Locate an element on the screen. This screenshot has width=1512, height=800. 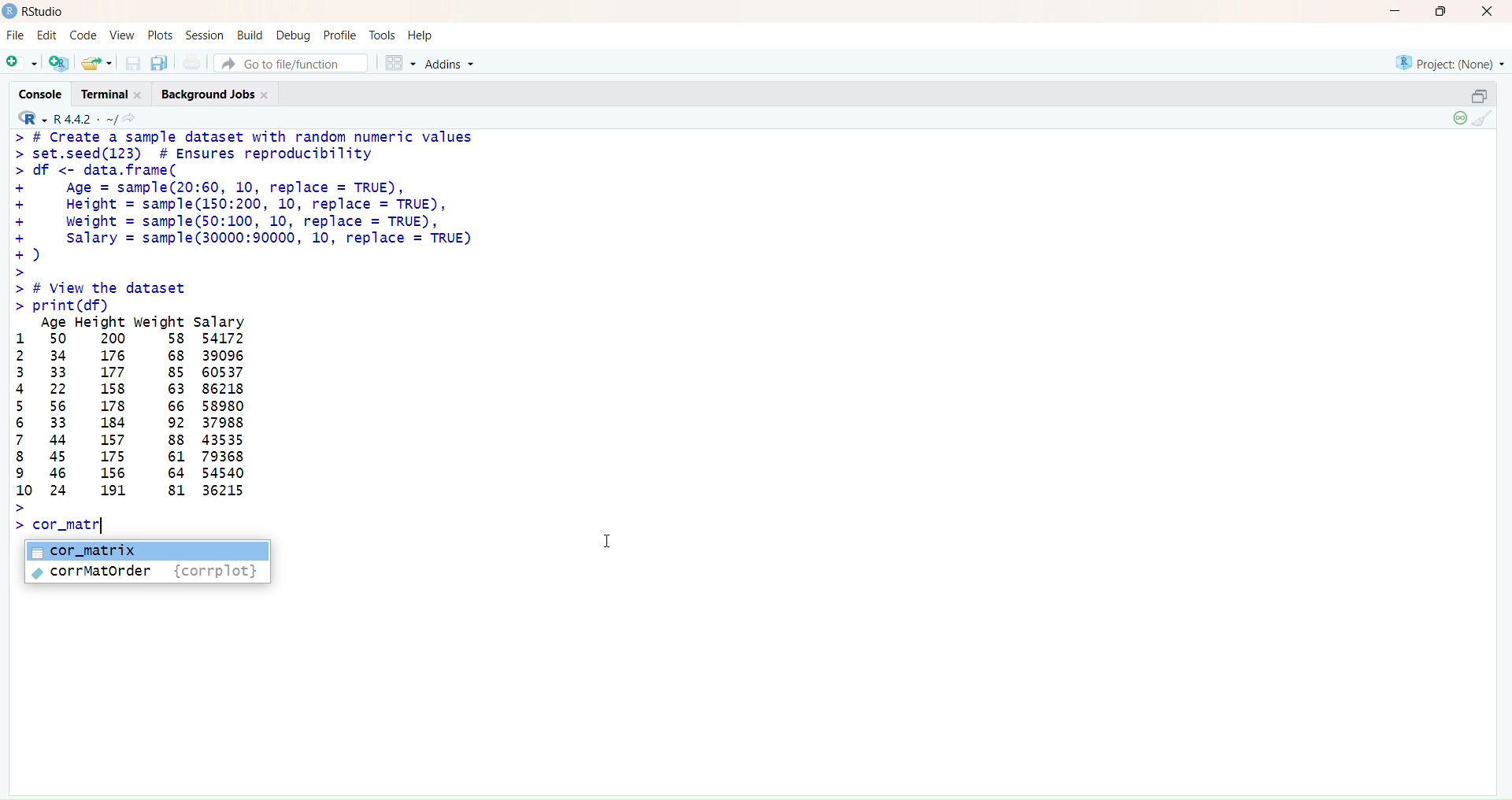
Project (None) is located at coordinates (1452, 65).